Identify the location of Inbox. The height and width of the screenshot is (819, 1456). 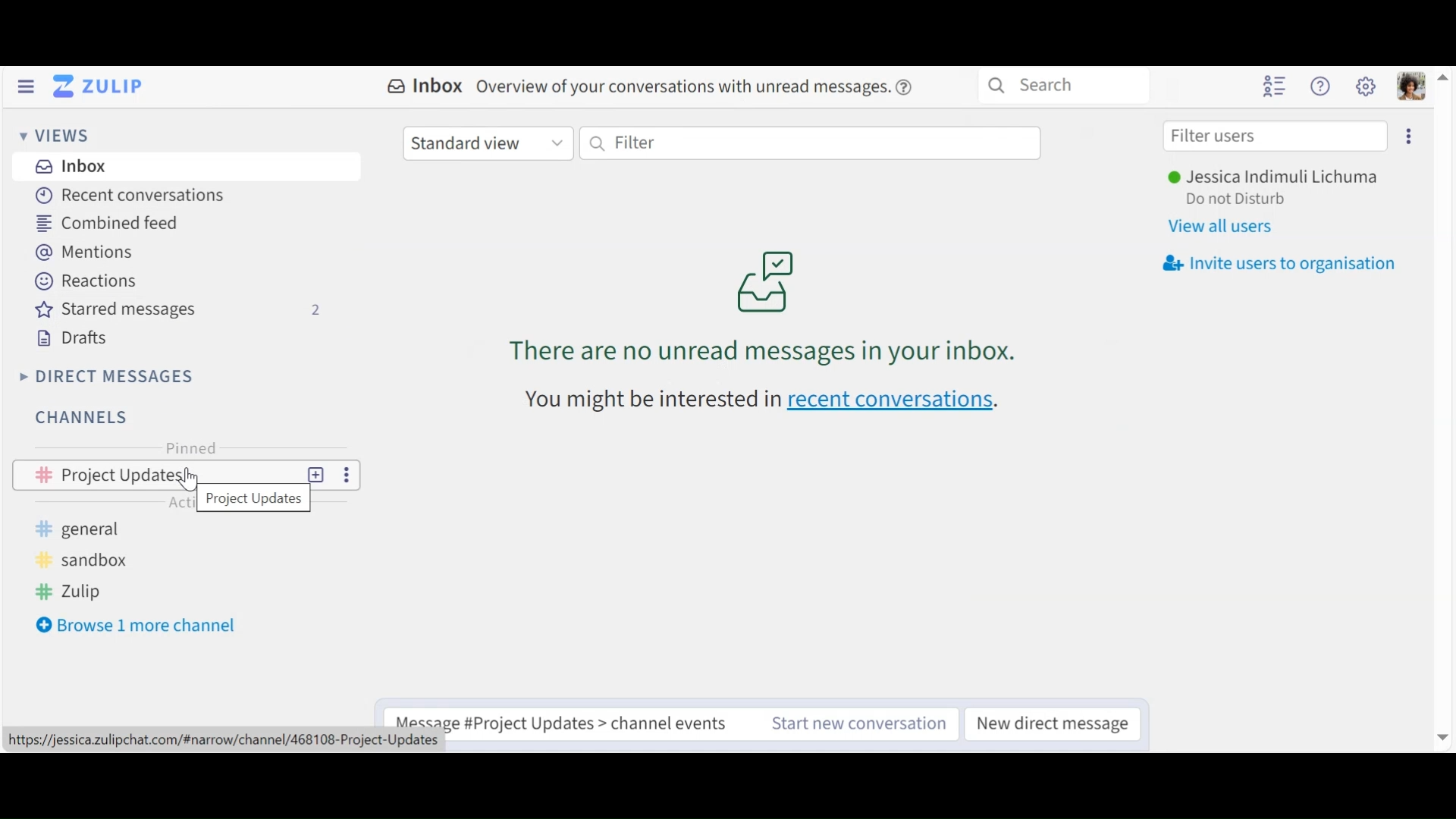
(664, 86).